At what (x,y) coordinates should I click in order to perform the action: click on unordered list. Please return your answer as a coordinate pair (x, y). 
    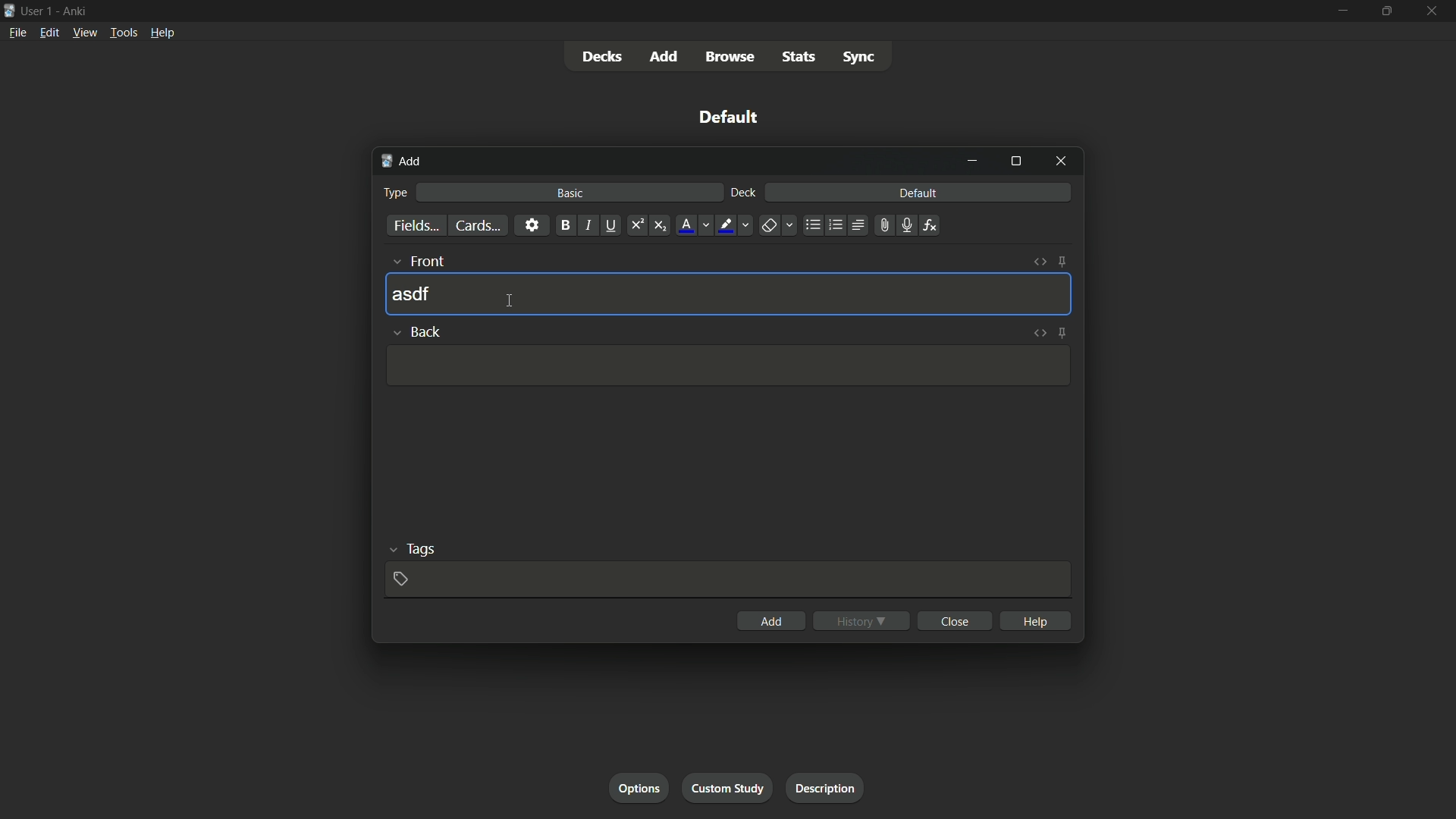
    Looking at the image, I should click on (814, 225).